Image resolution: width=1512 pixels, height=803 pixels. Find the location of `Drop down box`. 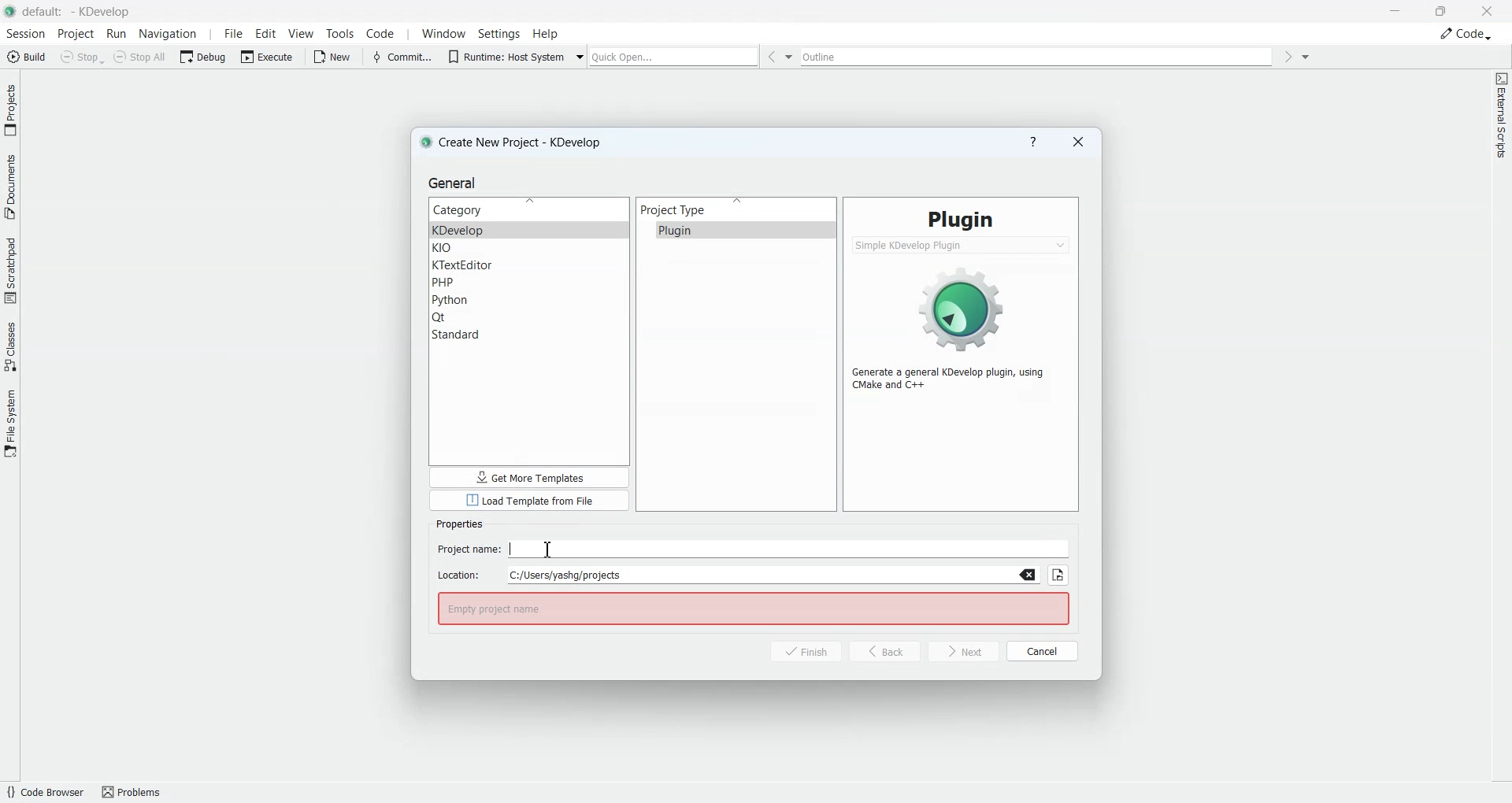

Drop down box is located at coordinates (581, 55).